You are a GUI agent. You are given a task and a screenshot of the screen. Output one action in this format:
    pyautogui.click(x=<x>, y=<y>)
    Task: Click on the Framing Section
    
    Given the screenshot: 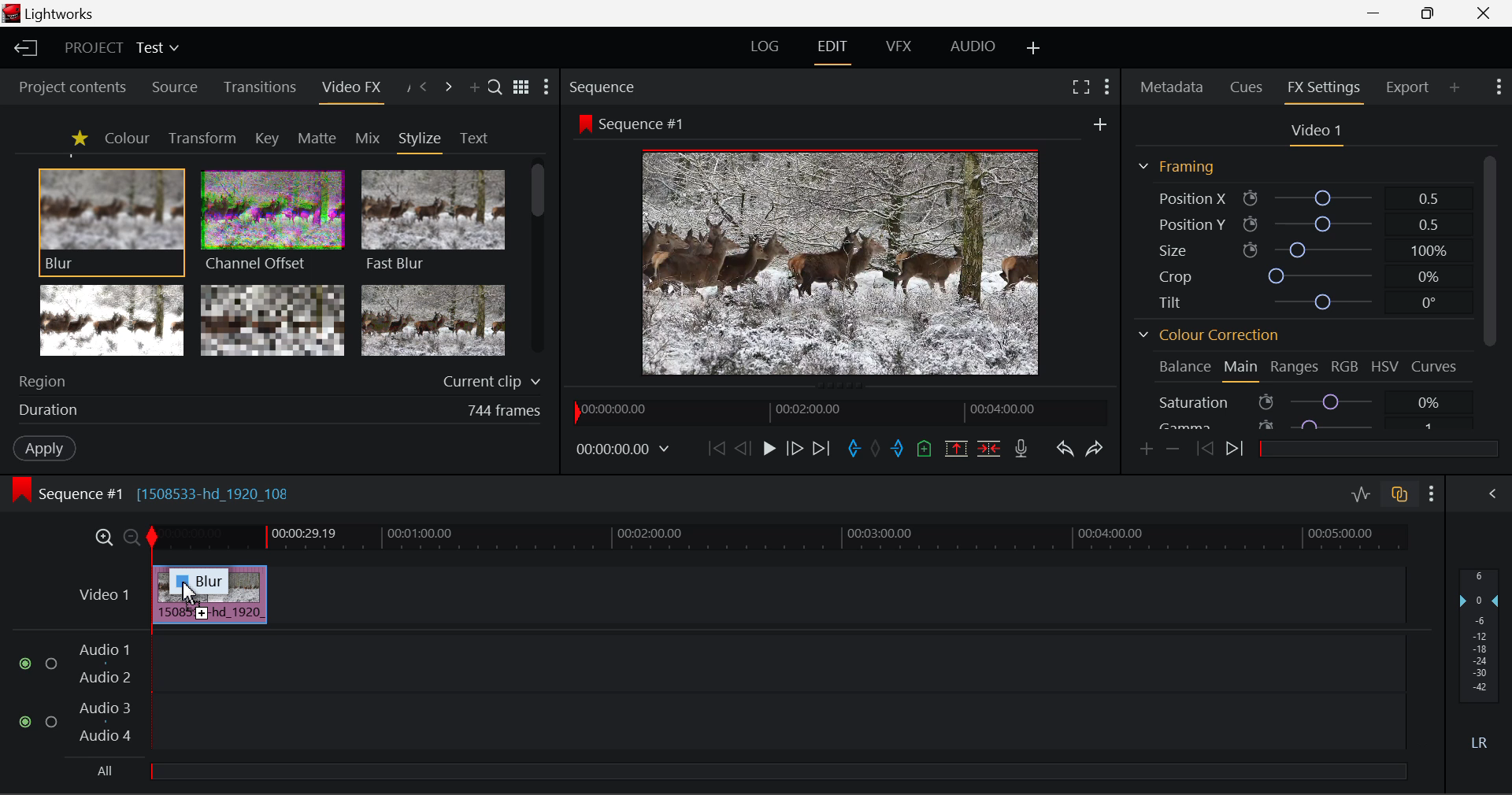 What is the action you would take?
    pyautogui.click(x=1178, y=166)
    